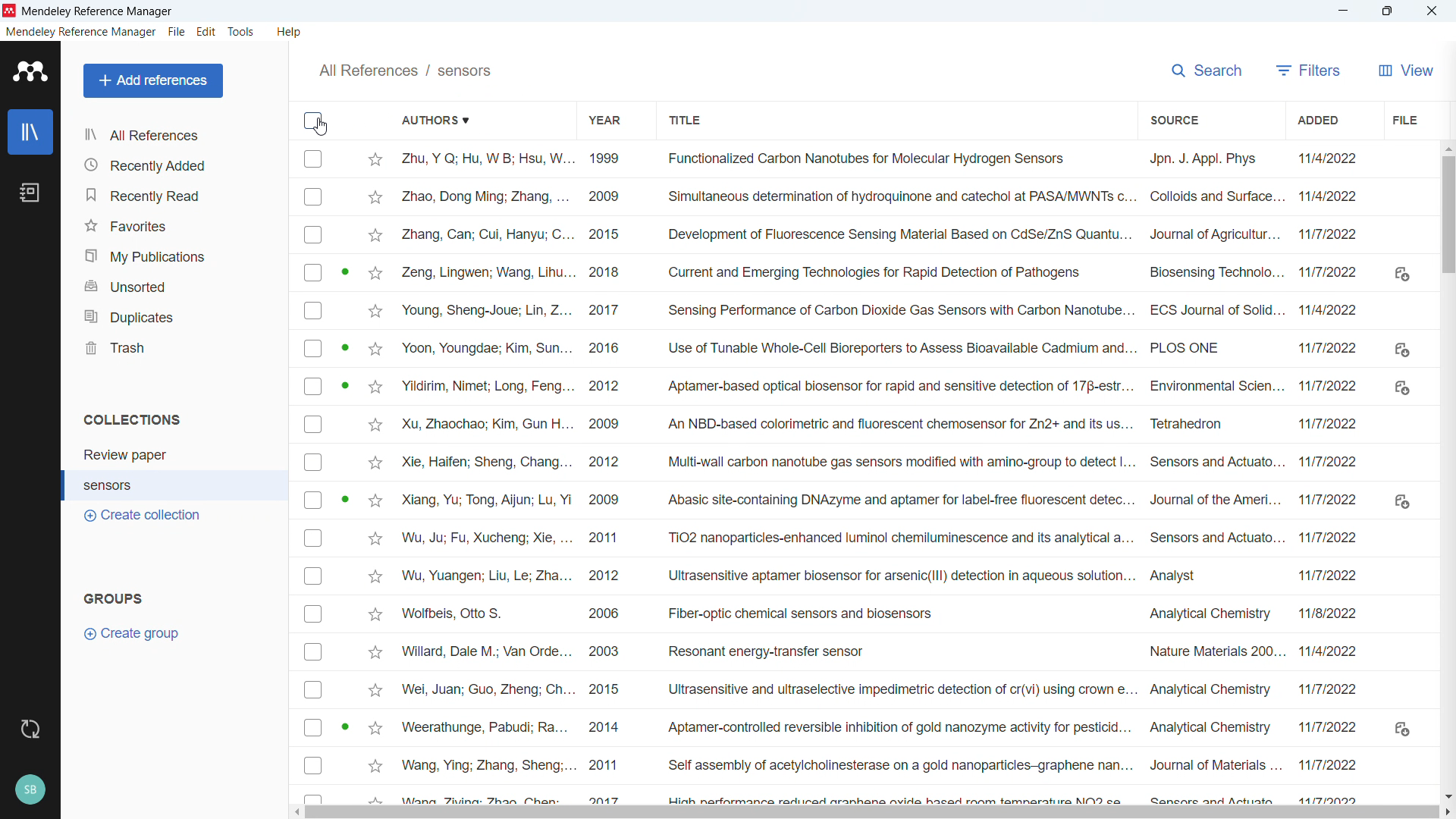  I want to click on recently added, so click(175, 164).